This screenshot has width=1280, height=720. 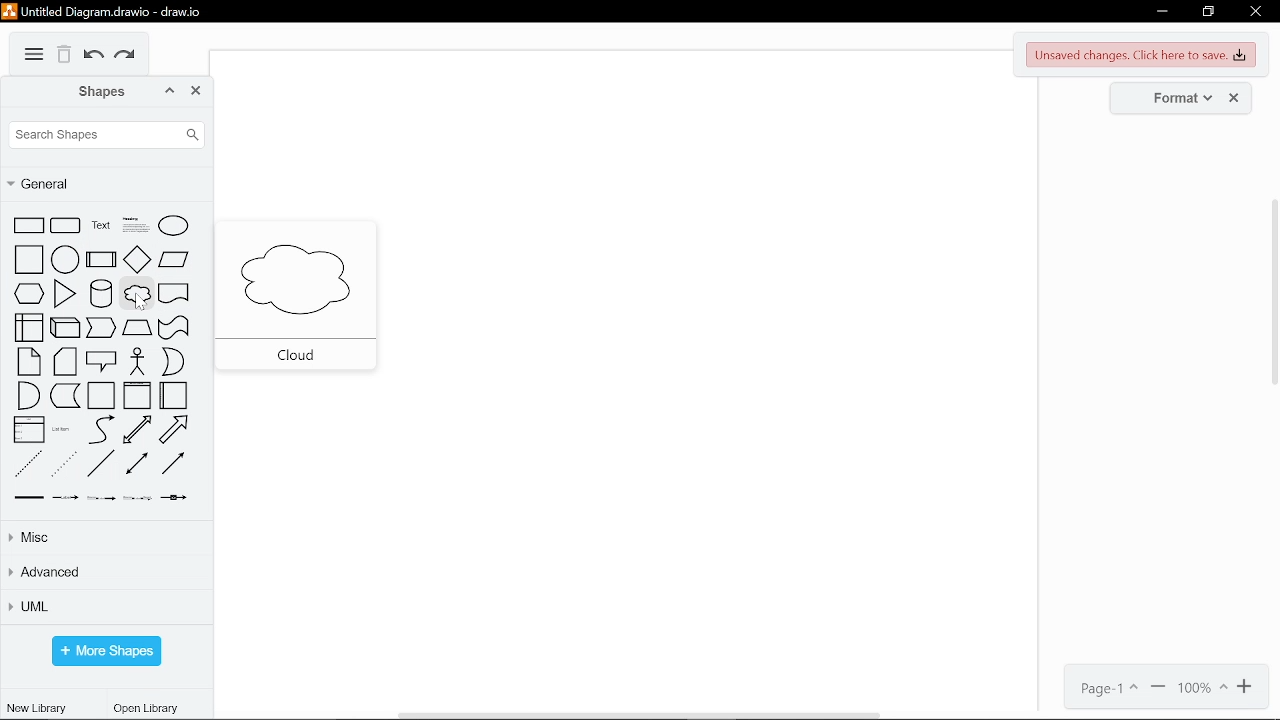 I want to click on arrow, so click(x=174, y=430).